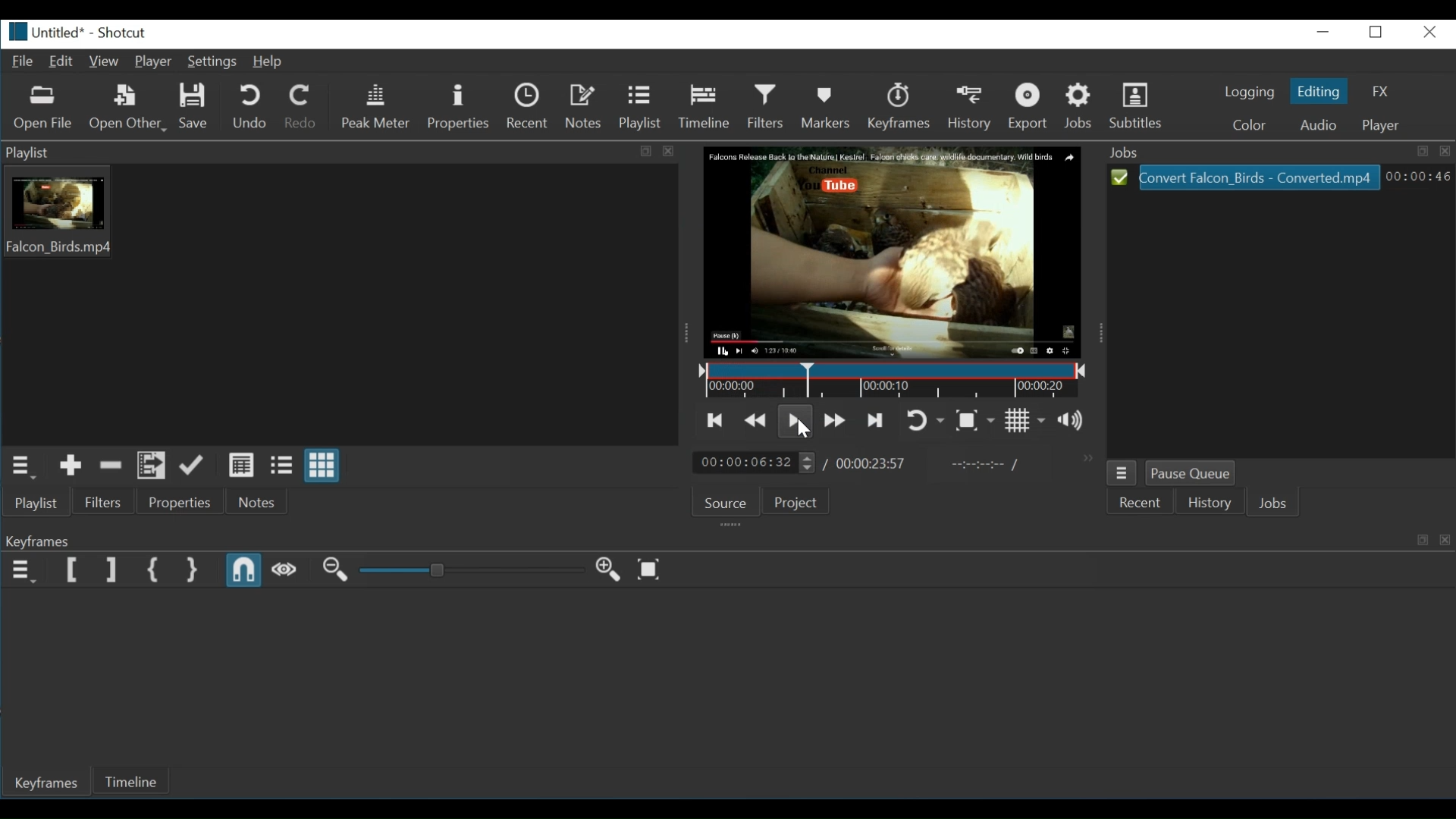 Image resolution: width=1456 pixels, height=819 pixels. I want to click on Keyframes, so click(49, 782).